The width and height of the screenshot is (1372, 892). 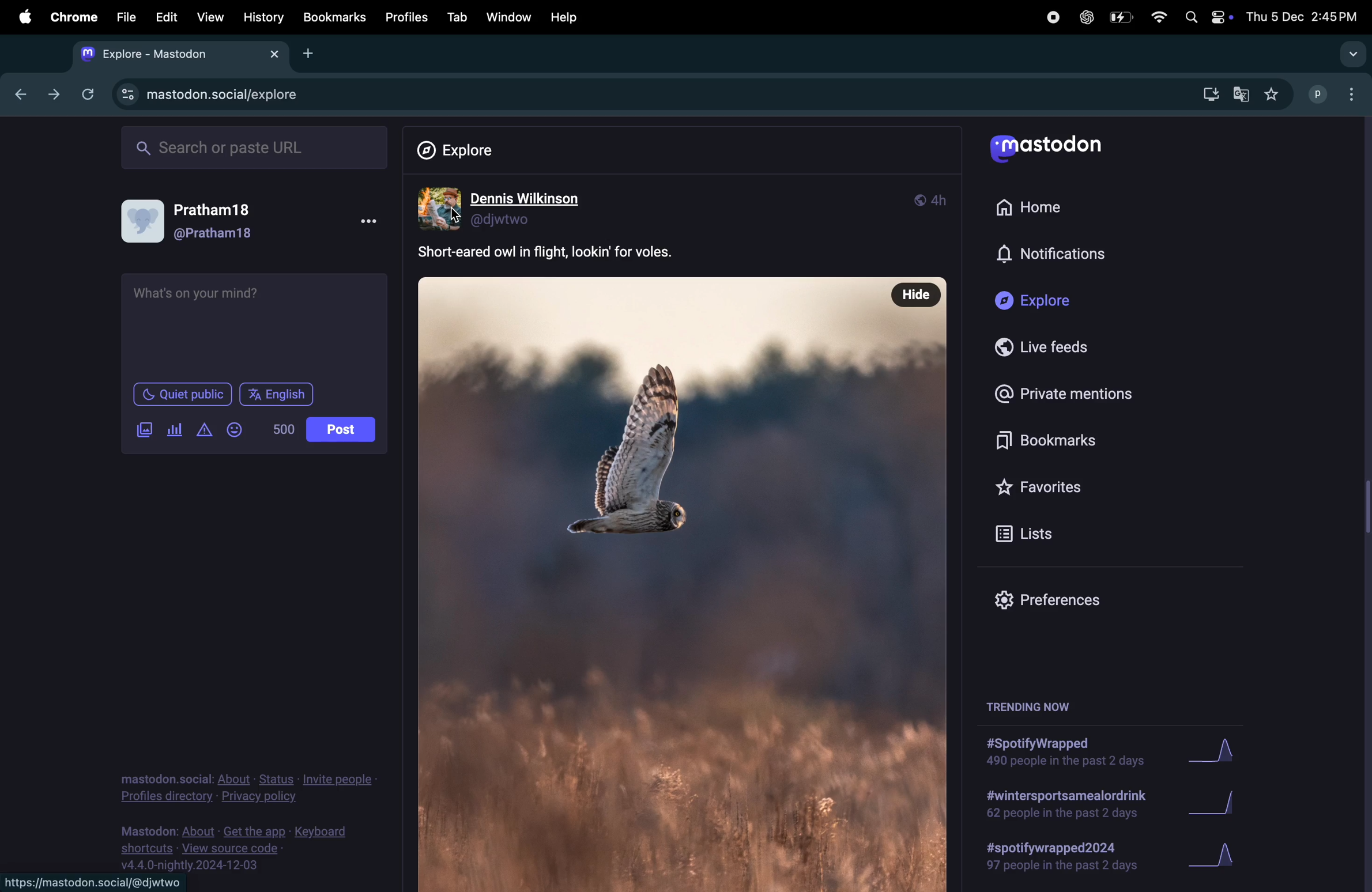 I want to click on dennis wilson, so click(x=508, y=206).